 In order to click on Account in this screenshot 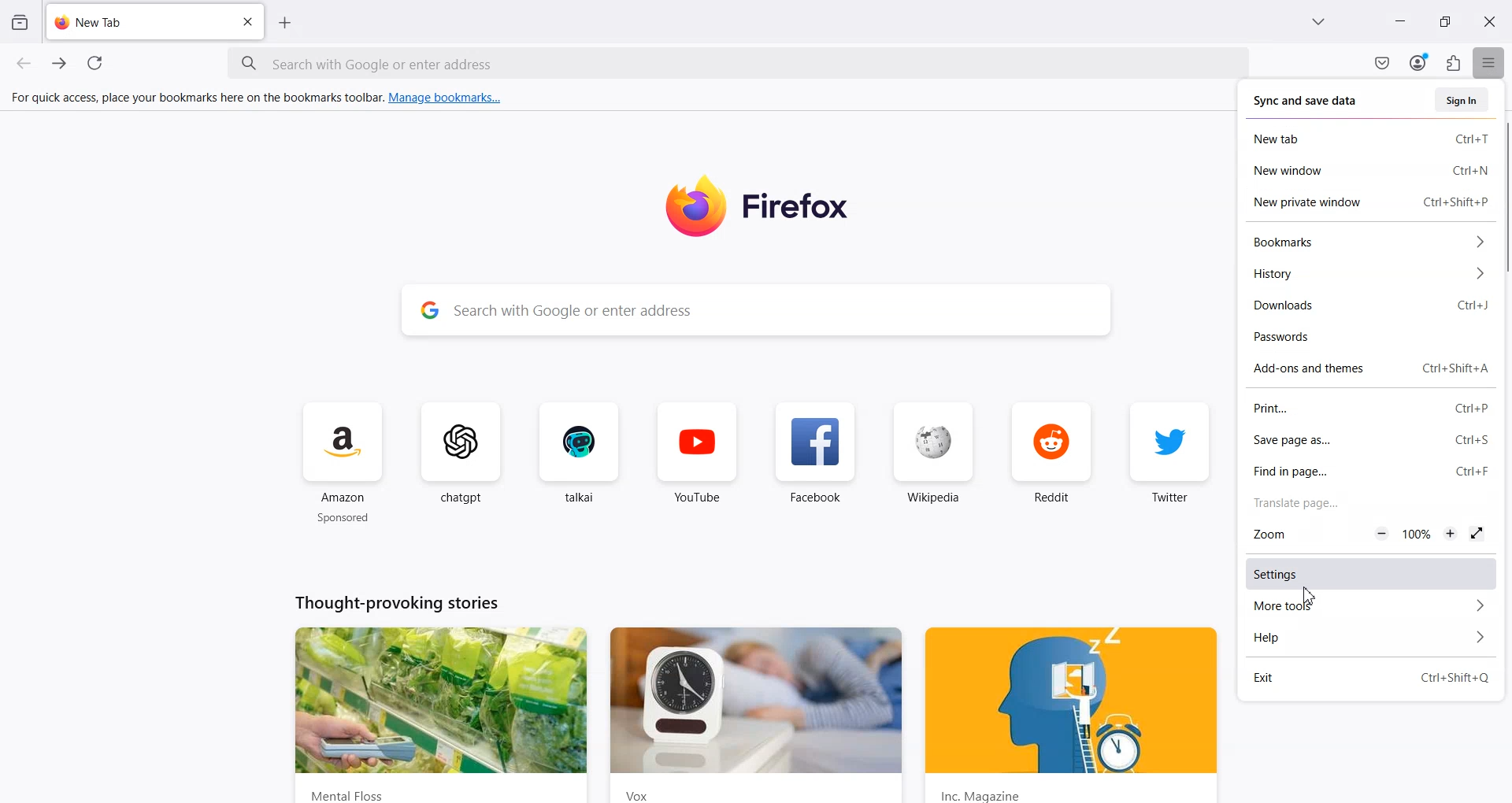, I will do `click(1418, 63)`.